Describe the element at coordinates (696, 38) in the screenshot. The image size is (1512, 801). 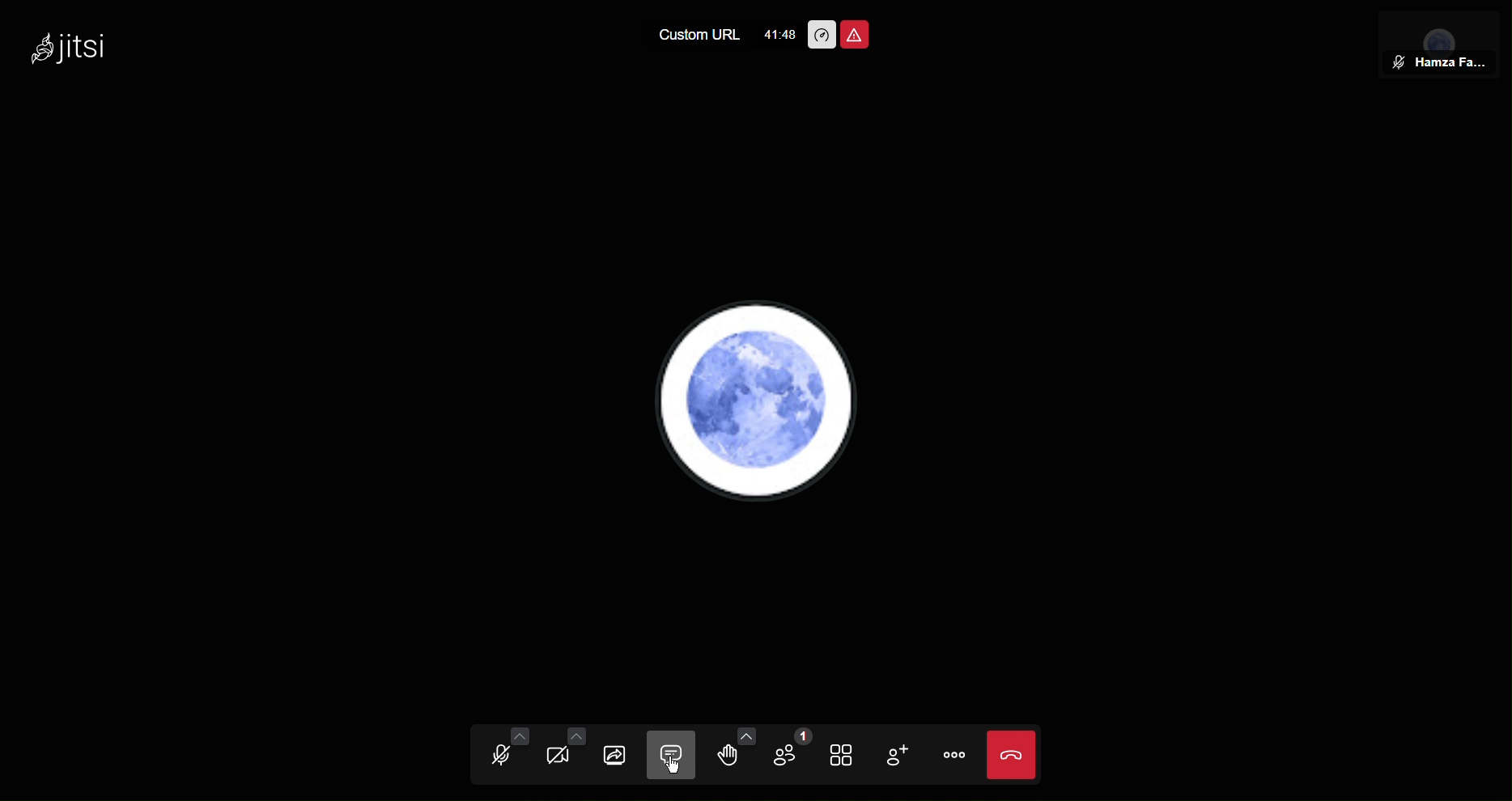
I see `Custom URL` at that location.